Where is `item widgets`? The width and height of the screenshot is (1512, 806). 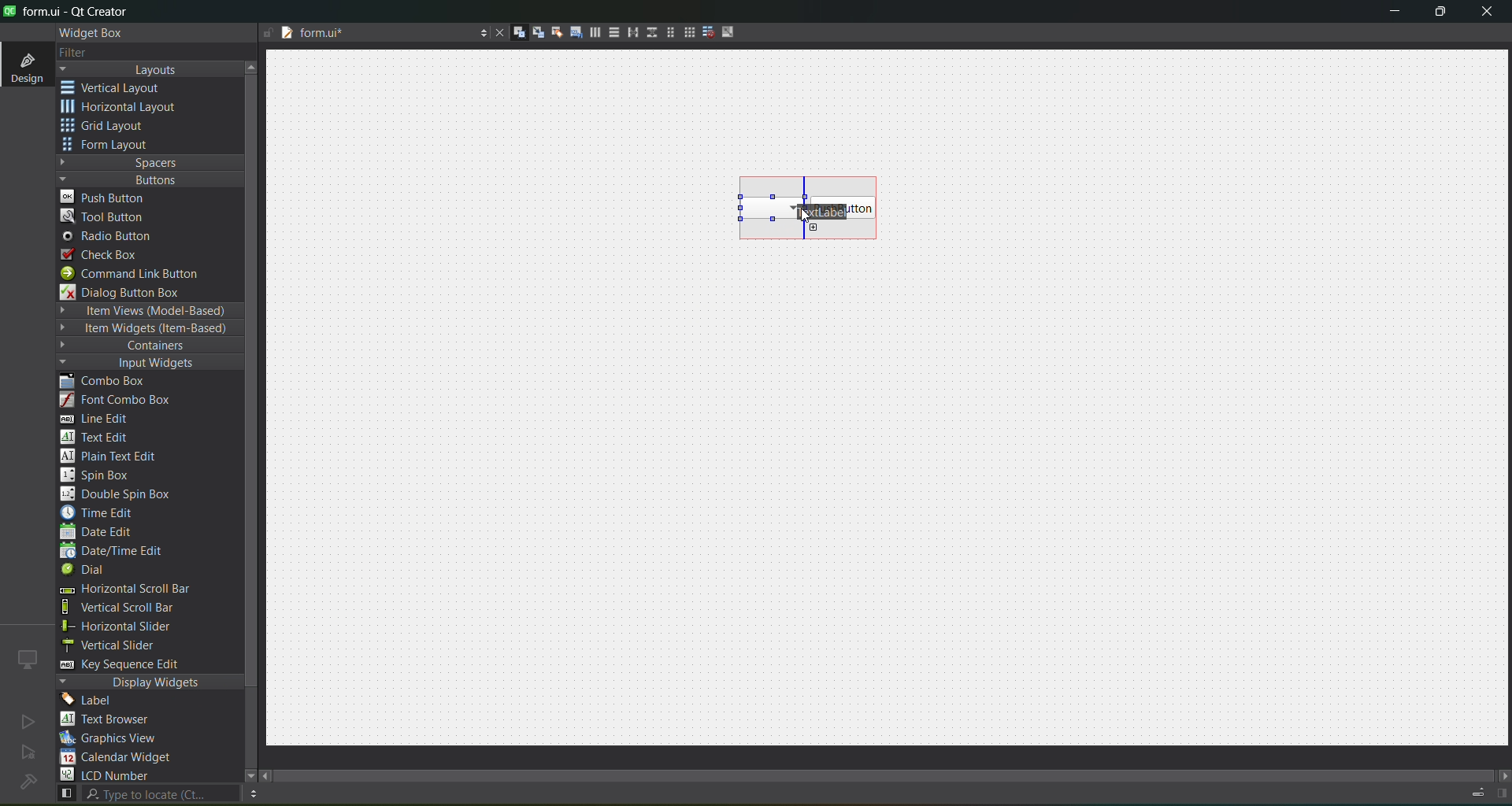
item widgets is located at coordinates (146, 329).